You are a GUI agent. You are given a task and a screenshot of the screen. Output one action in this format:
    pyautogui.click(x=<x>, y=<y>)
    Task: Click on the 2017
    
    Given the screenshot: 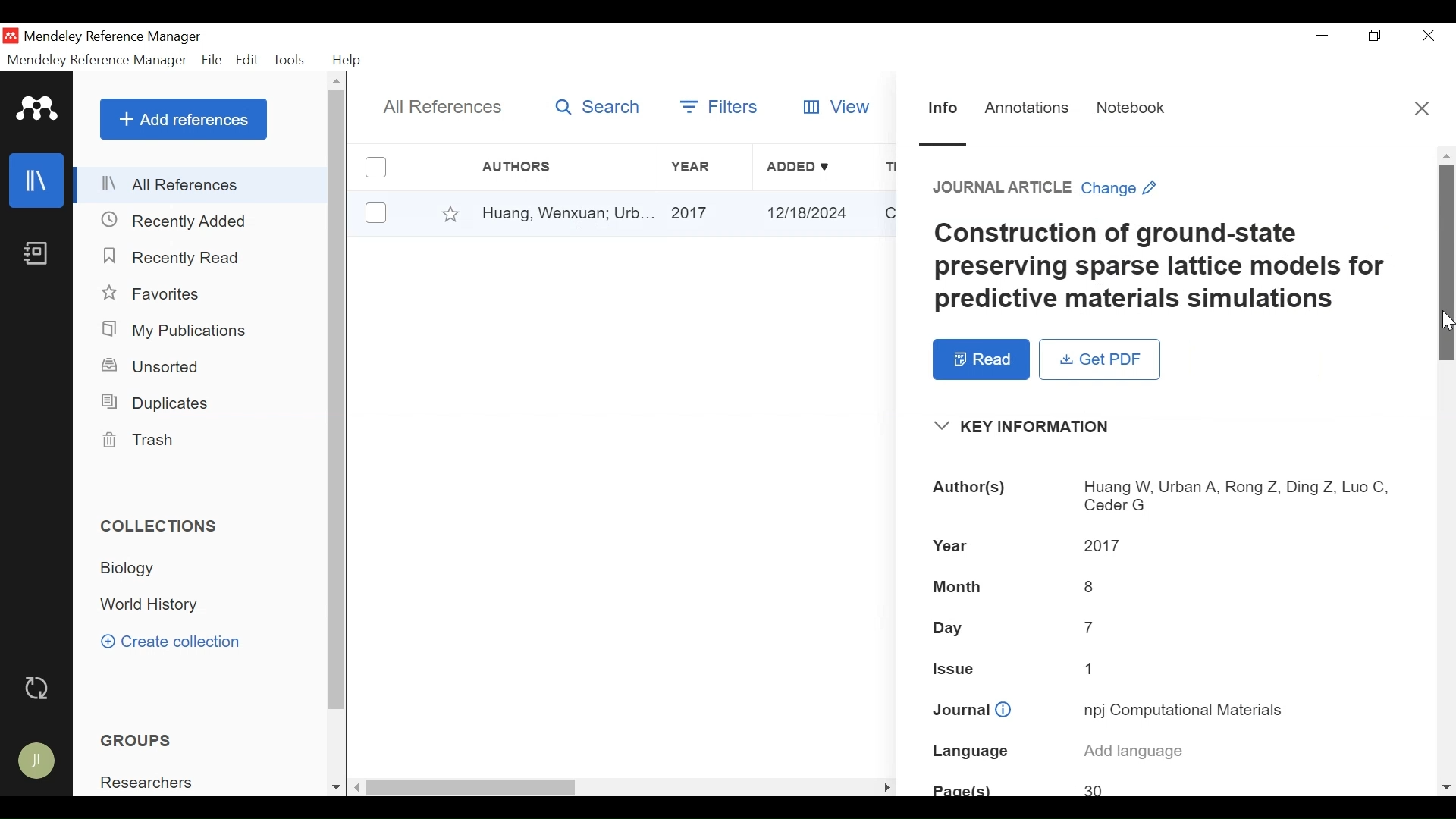 What is the action you would take?
    pyautogui.click(x=706, y=214)
    